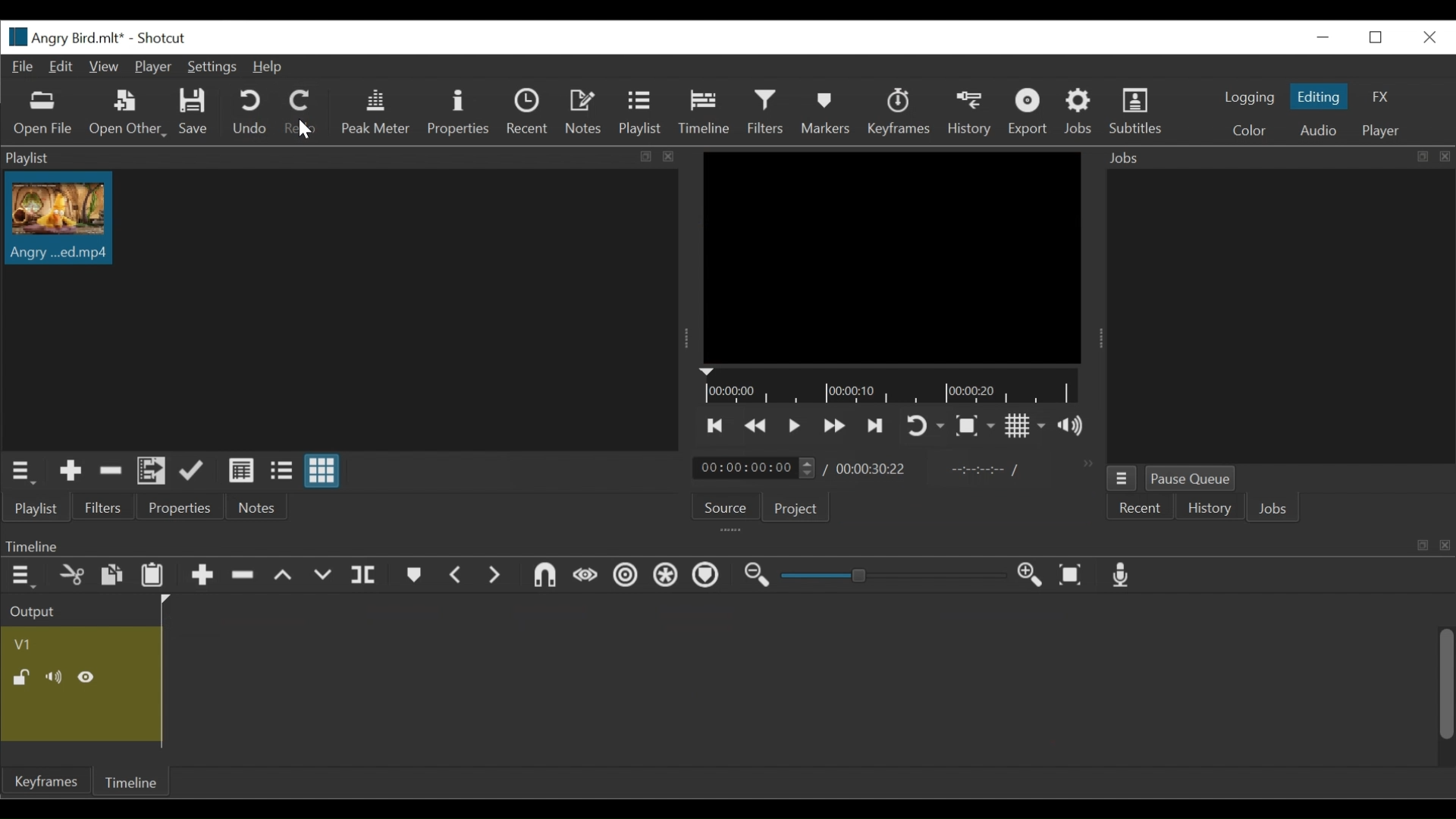 The height and width of the screenshot is (819, 1456). I want to click on Settings, so click(210, 67).